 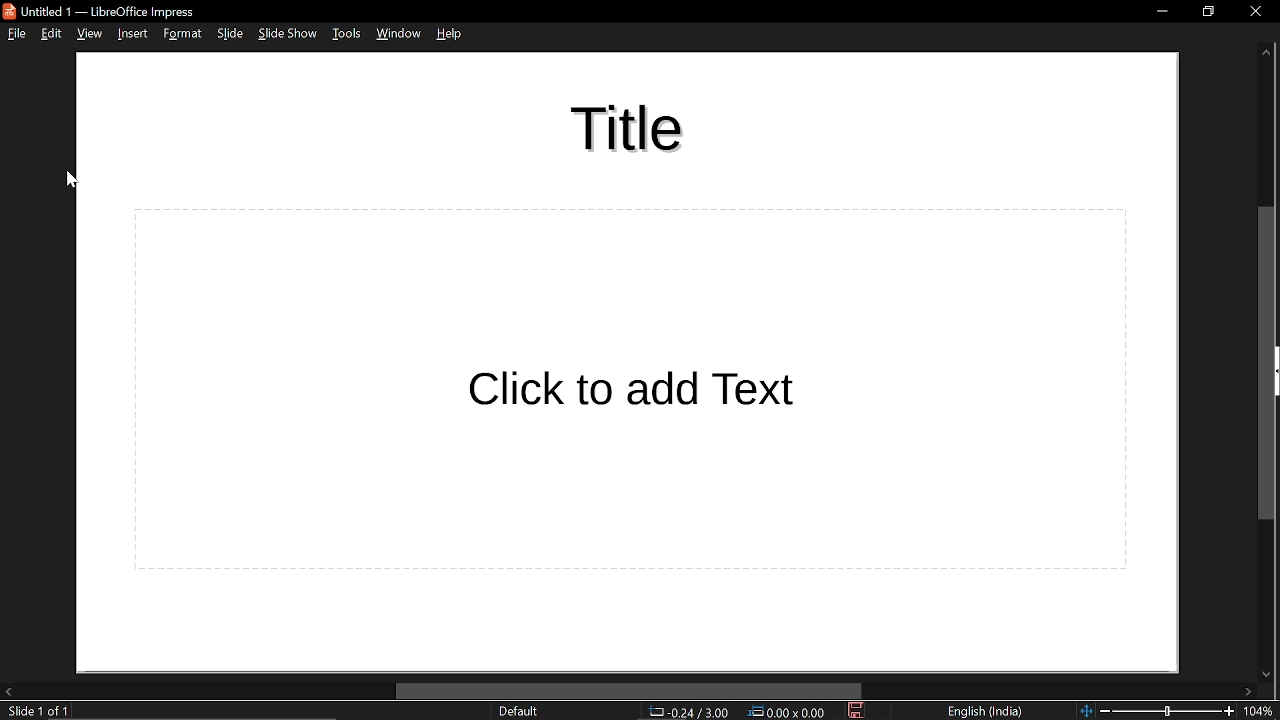 I want to click on slide show, so click(x=287, y=32).